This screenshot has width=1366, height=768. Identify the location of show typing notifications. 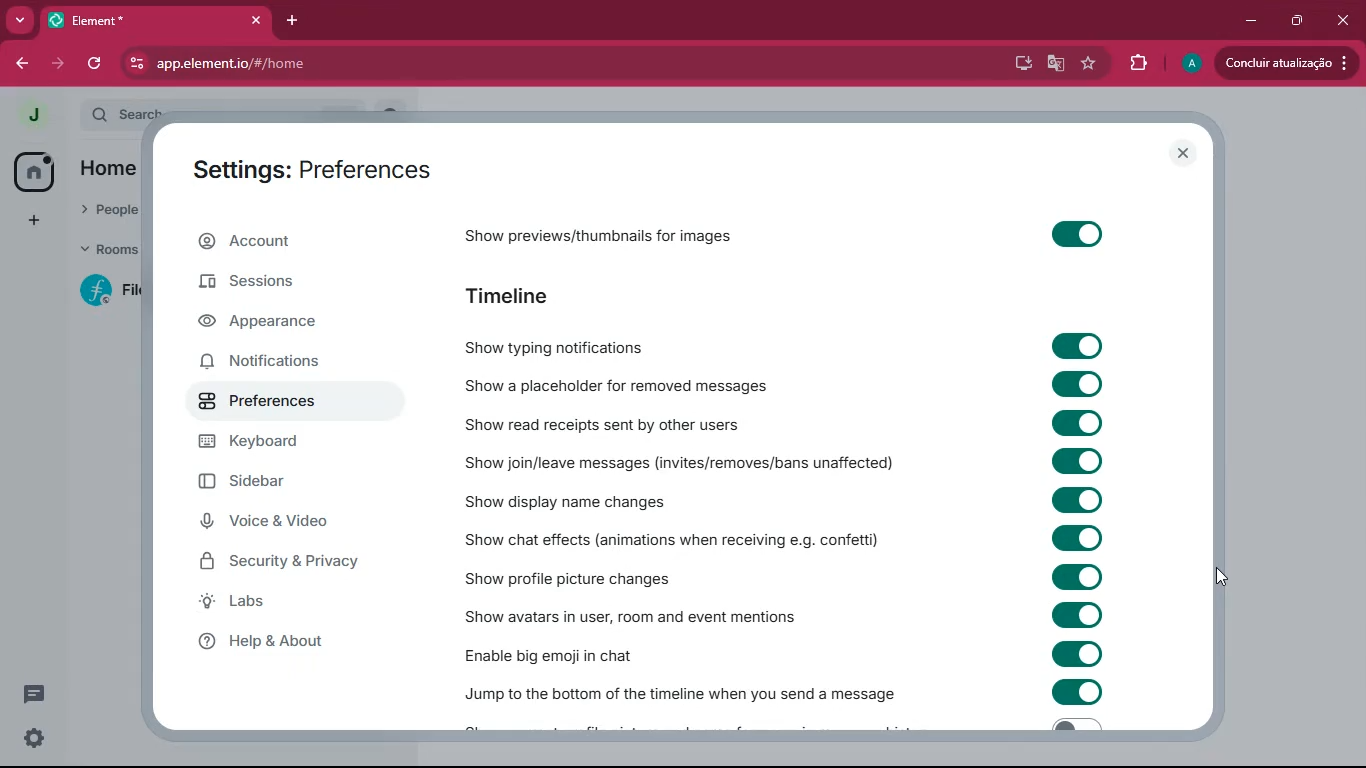
(627, 348).